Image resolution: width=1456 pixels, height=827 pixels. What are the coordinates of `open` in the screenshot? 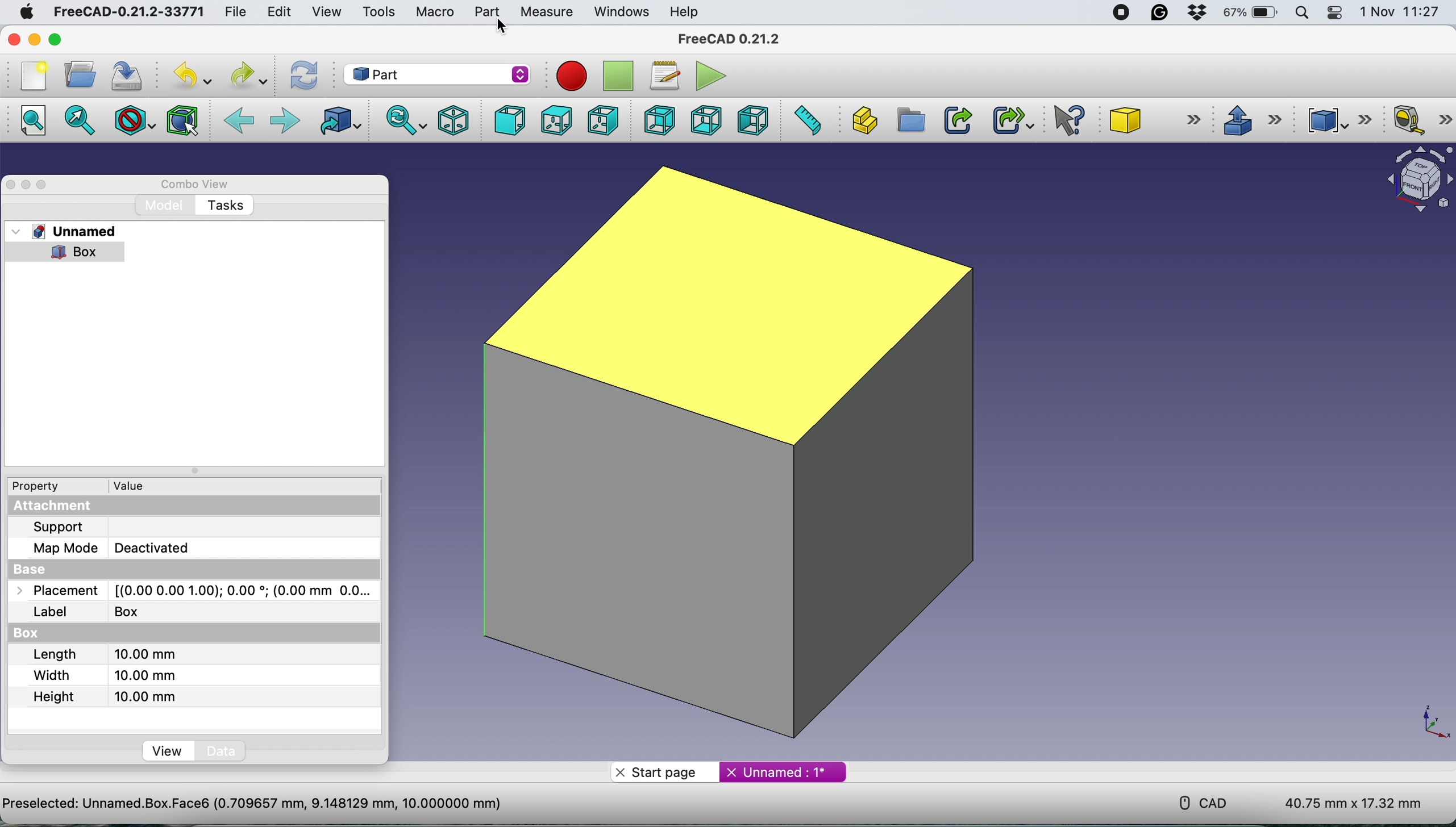 It's located at (81, 75).